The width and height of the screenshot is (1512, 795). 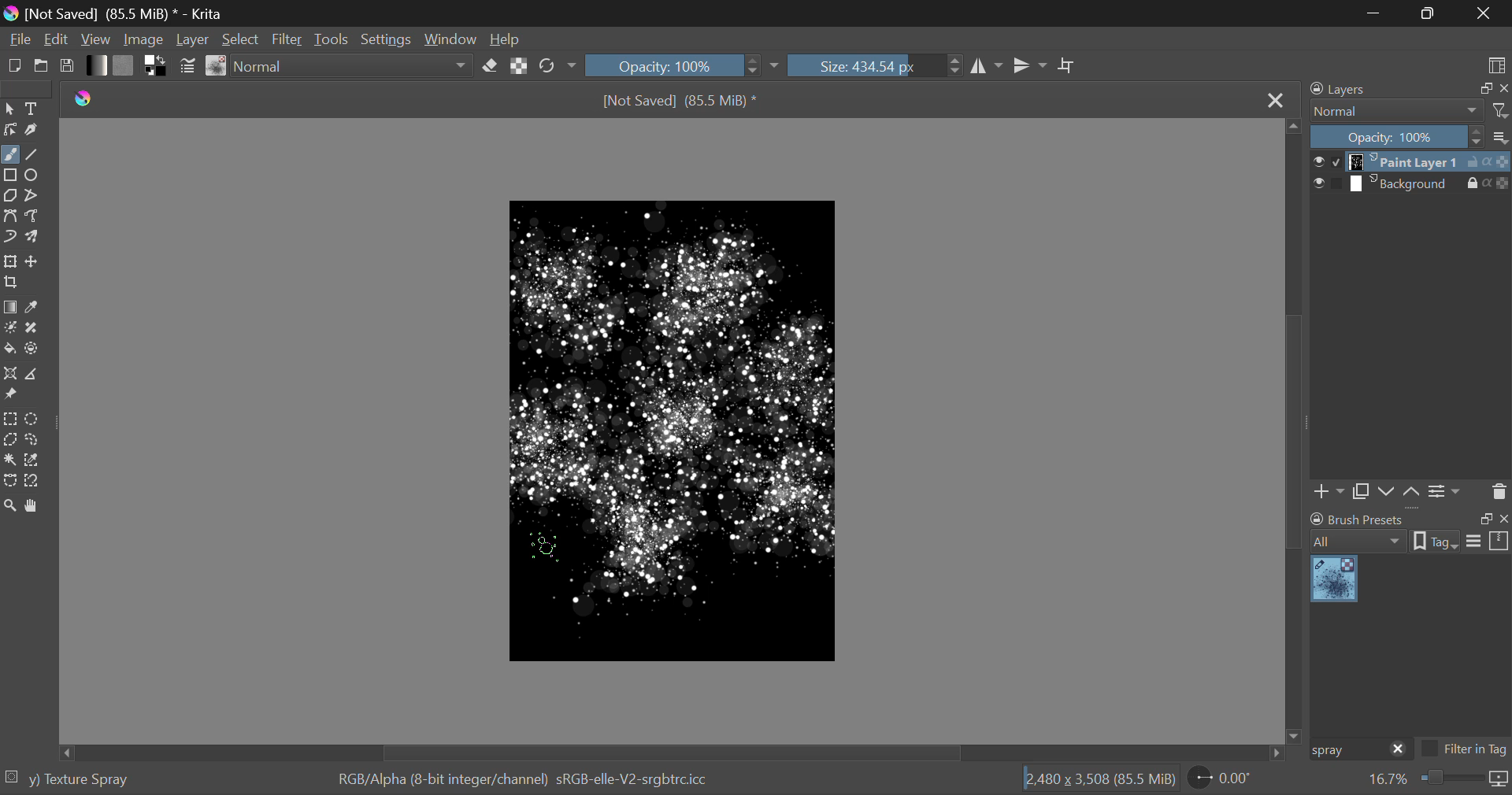 What do you see at coordinates (647, 554) in the screenshot?
I see `Brush Stroke Added` at bounding box center [647, 554].